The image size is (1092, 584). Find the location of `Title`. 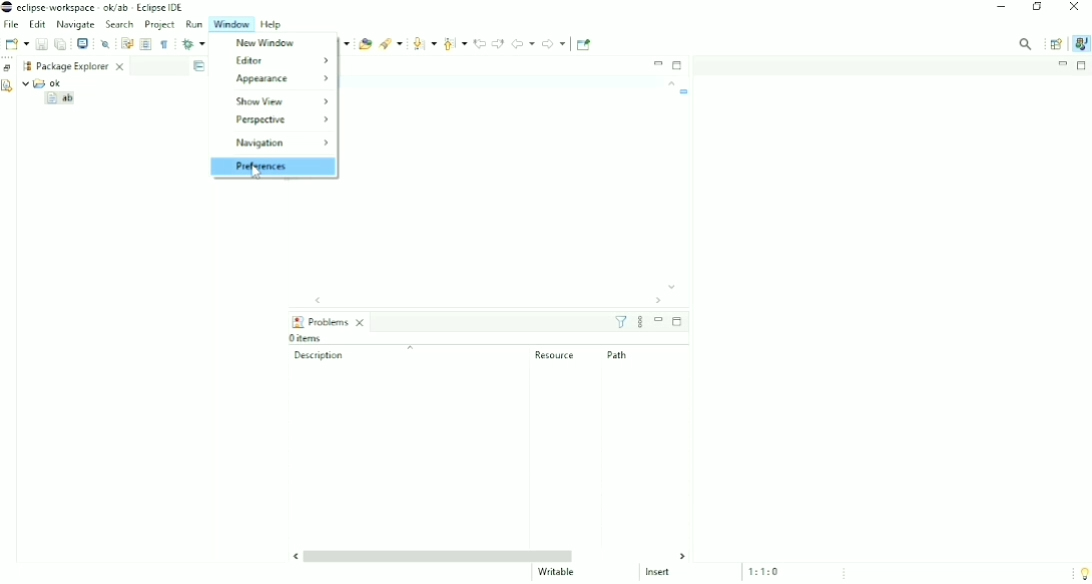

Title is located at coordinates (98, 8).